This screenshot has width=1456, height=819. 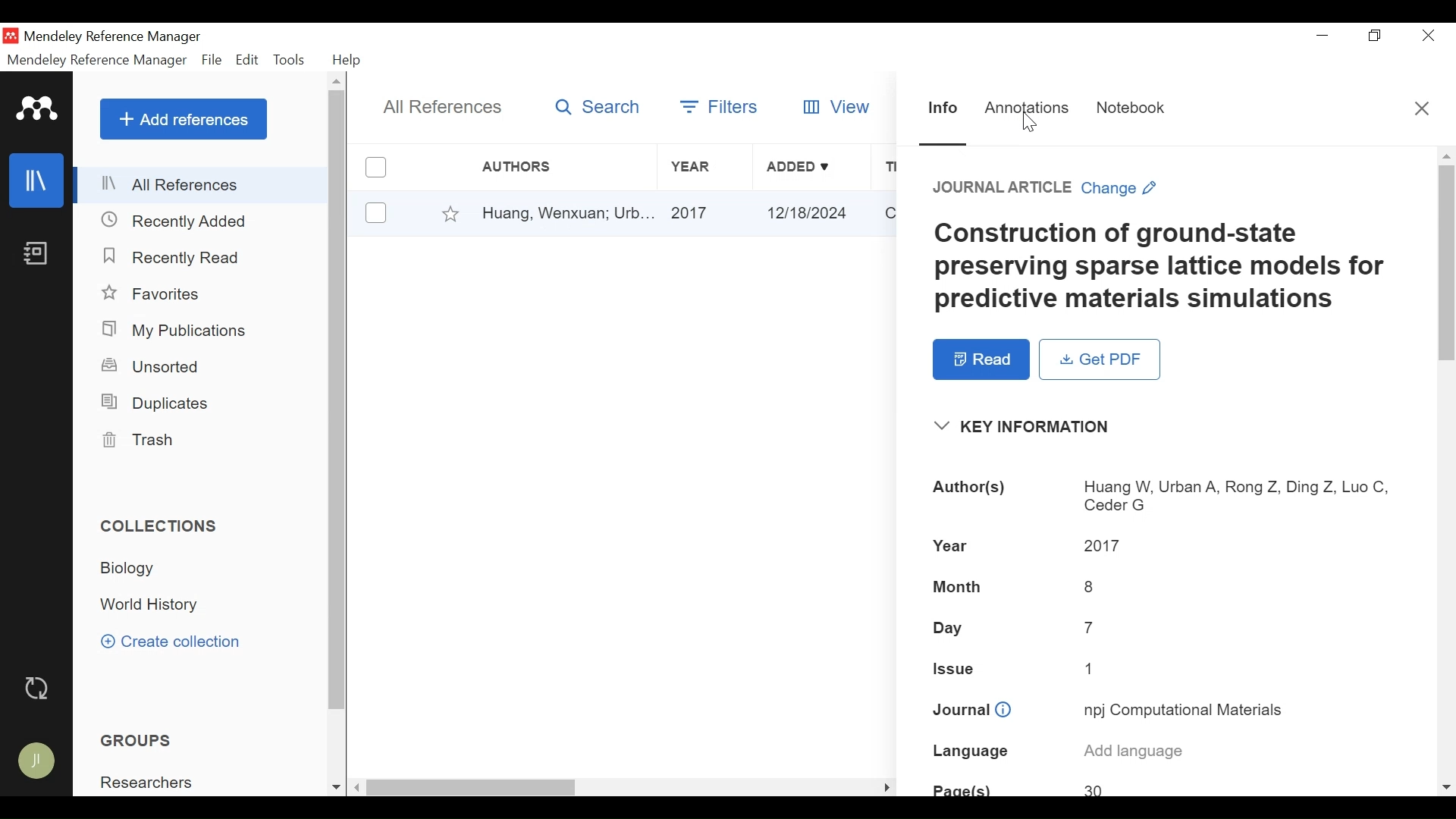 What do you see at coordinates (706, 168) in the screenshot?
I see `Year` at bounding box center [706, 168].